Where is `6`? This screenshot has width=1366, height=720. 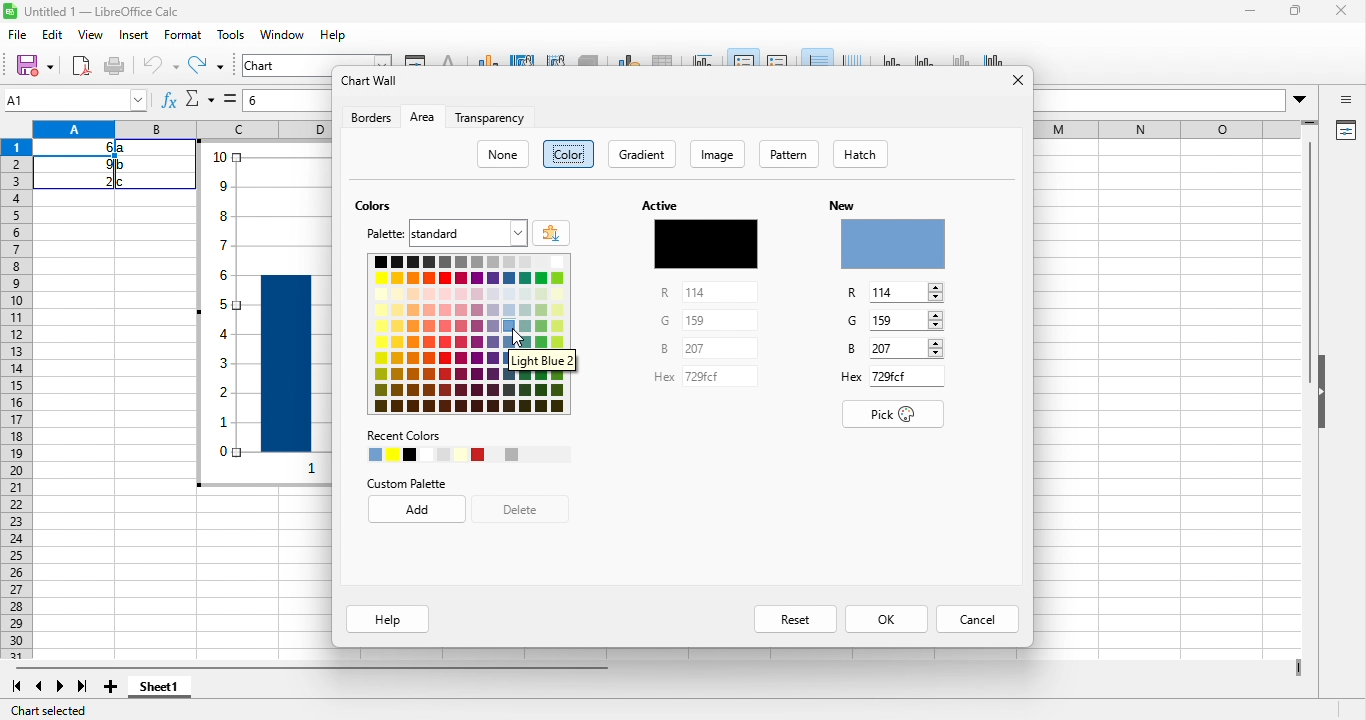 6 is located at coordinates (99, 147).